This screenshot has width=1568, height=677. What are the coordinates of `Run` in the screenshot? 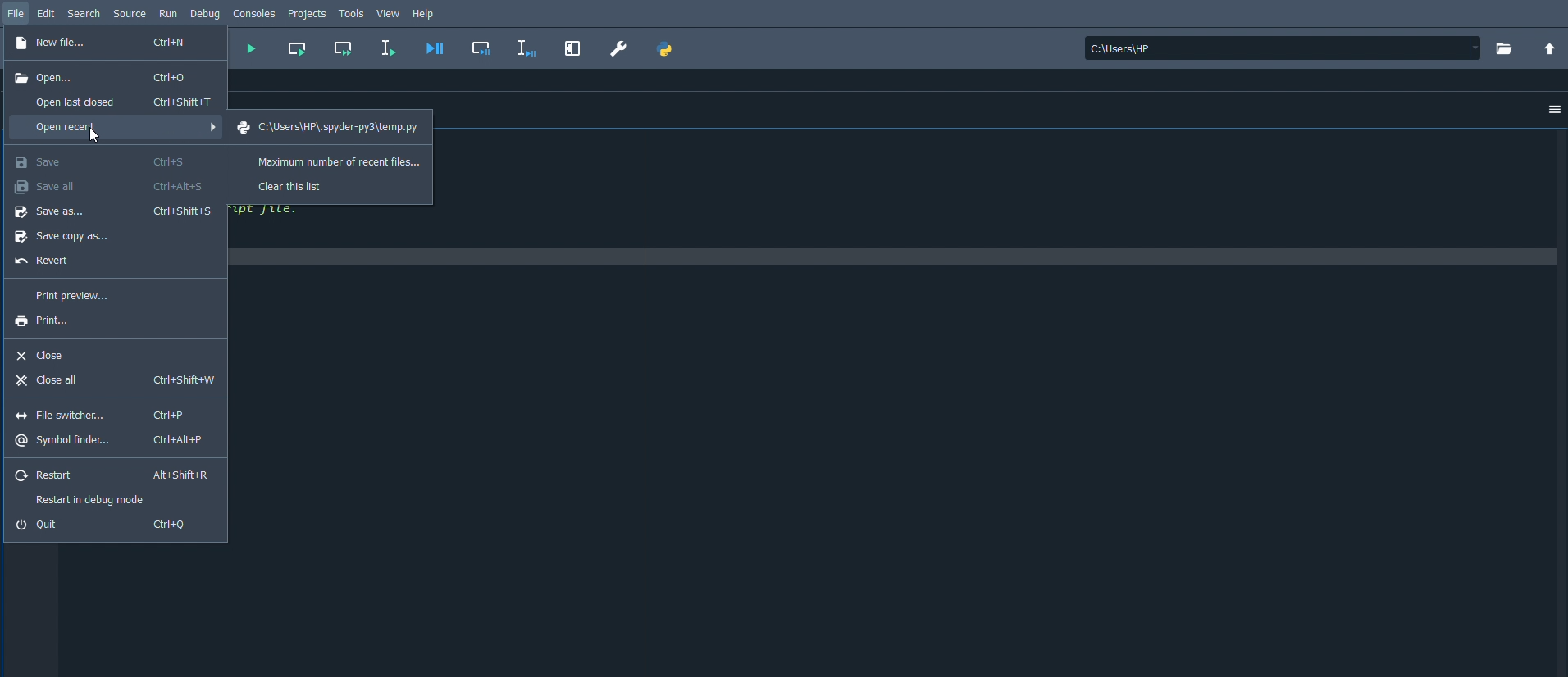 It's located at (170, 12).